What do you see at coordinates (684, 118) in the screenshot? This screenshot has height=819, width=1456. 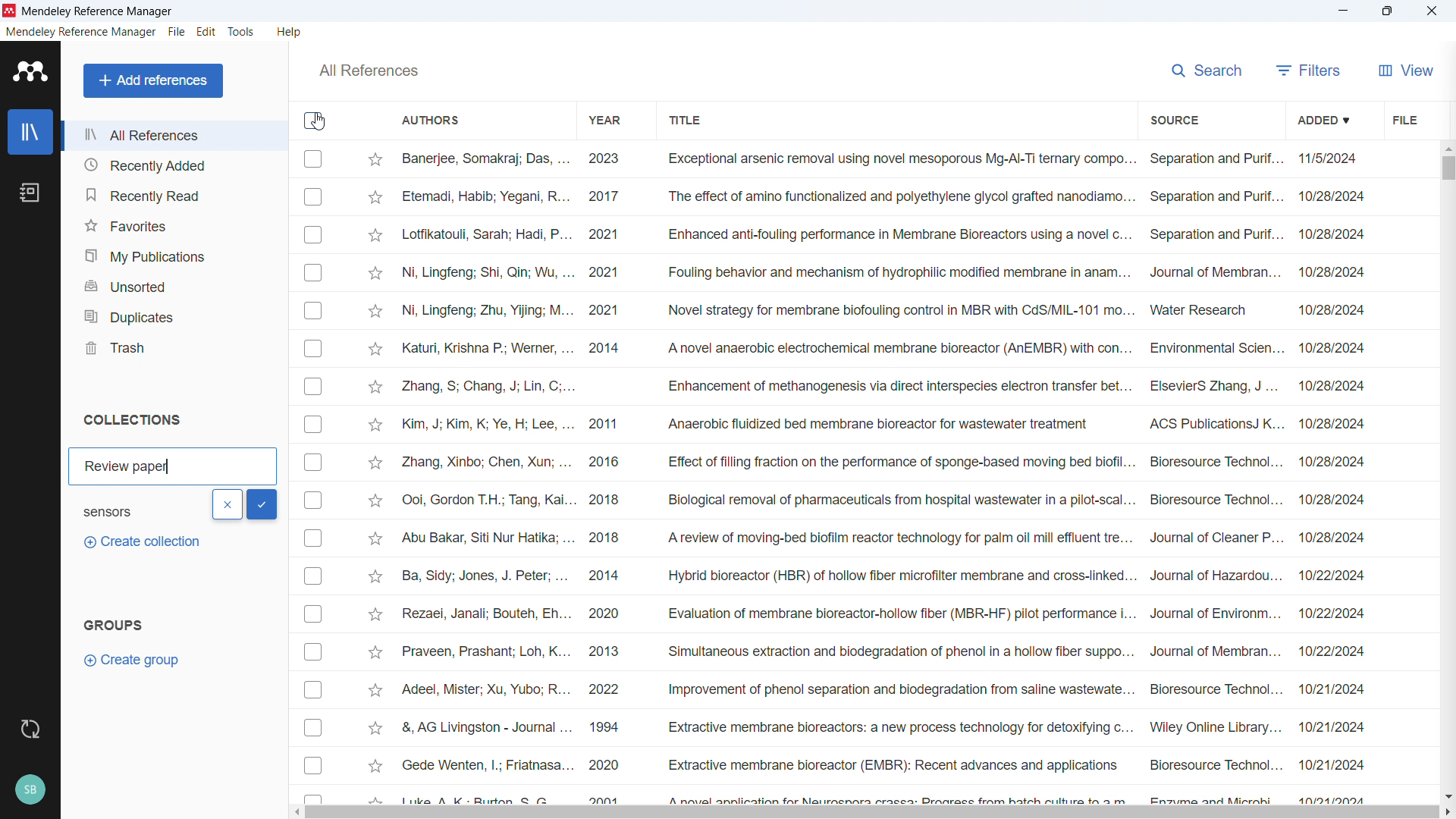 I see `Title` at bounding box center [684, 118].